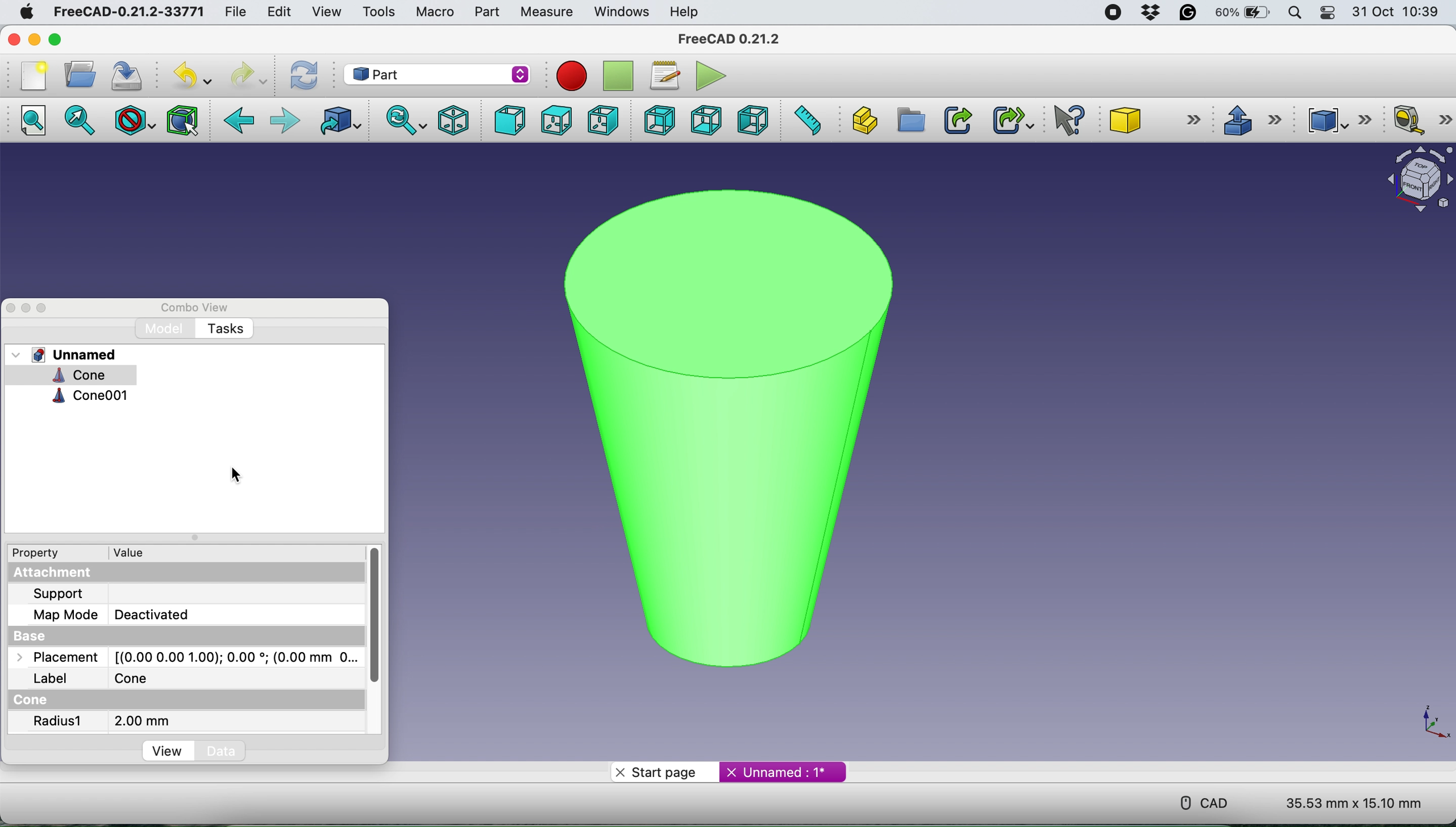 The image size is (1456, 827). Describe the element at coordinates (664, 771) in the screenshot. I see `start page` at that location.